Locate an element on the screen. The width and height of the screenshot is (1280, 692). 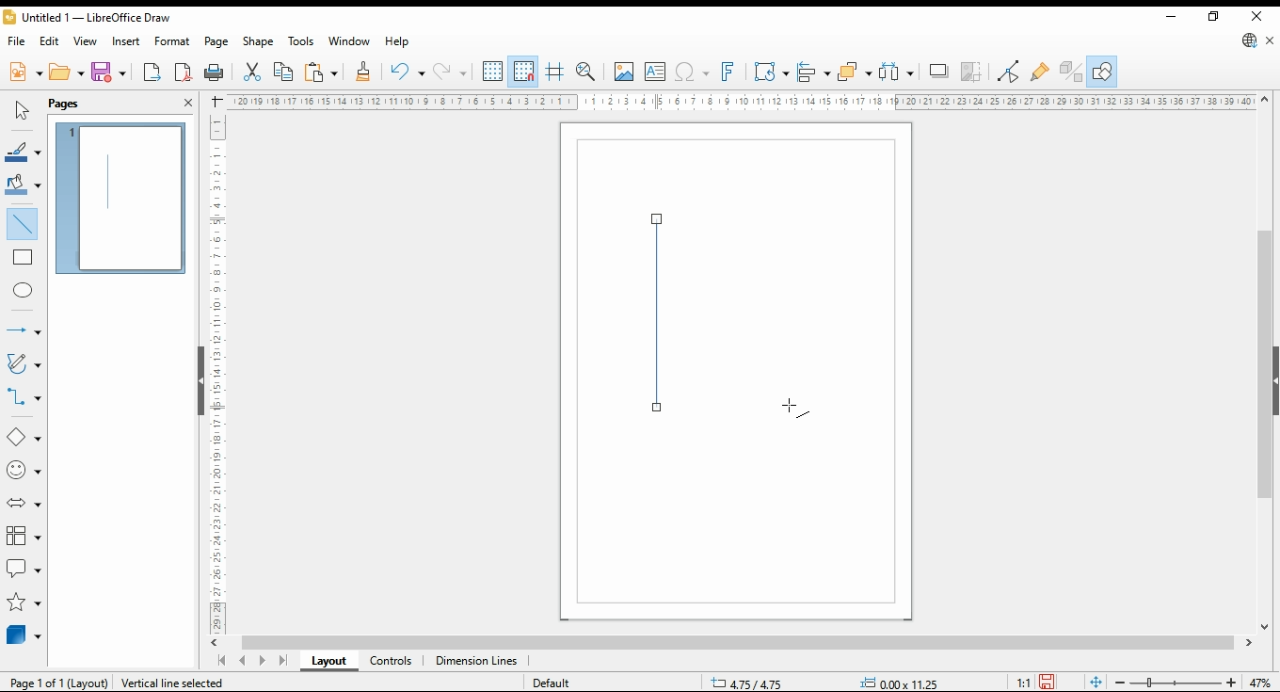
basic shapes is located at coordinates (22, 437).